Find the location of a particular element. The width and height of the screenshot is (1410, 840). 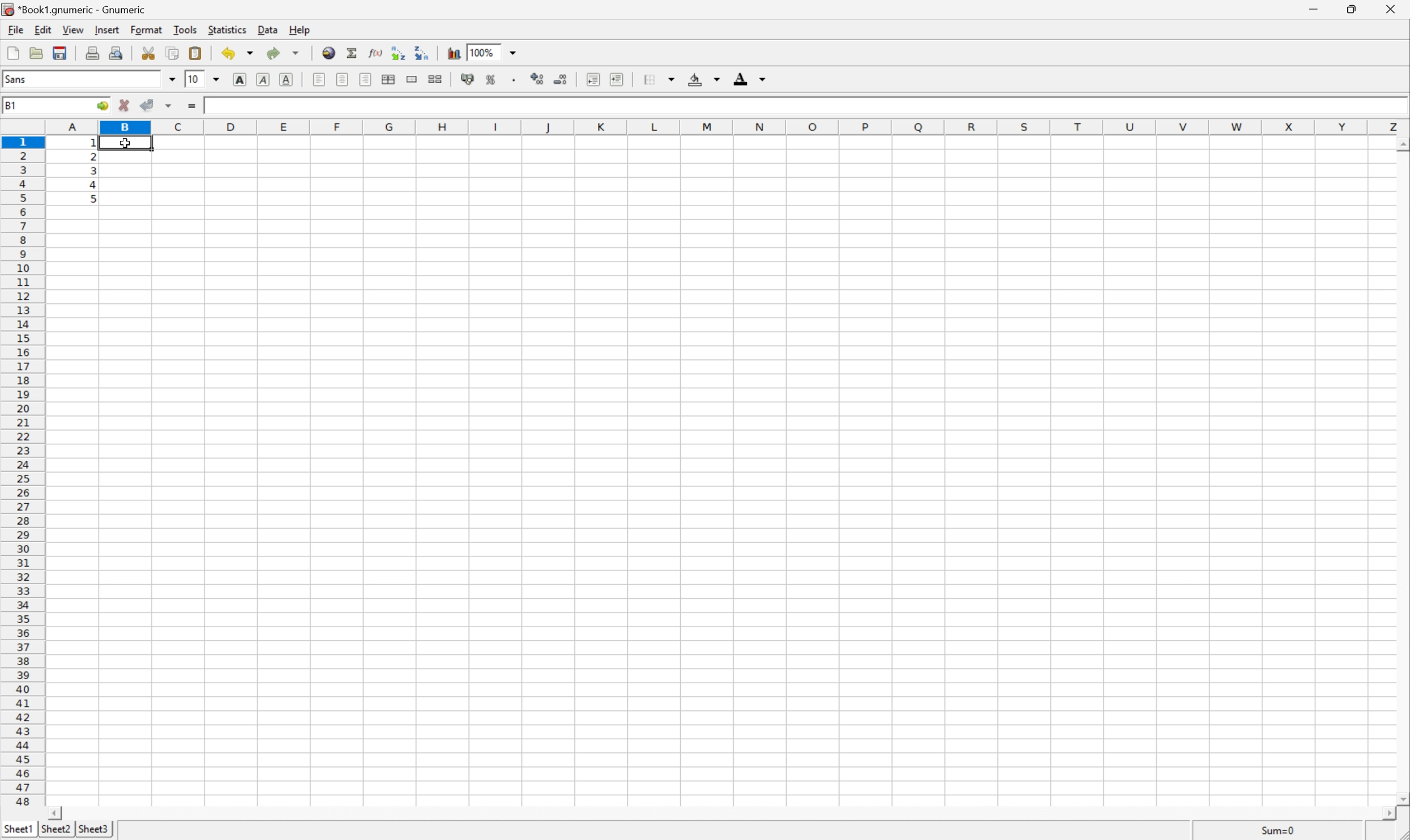

5 is located at coordinates (95, 199).